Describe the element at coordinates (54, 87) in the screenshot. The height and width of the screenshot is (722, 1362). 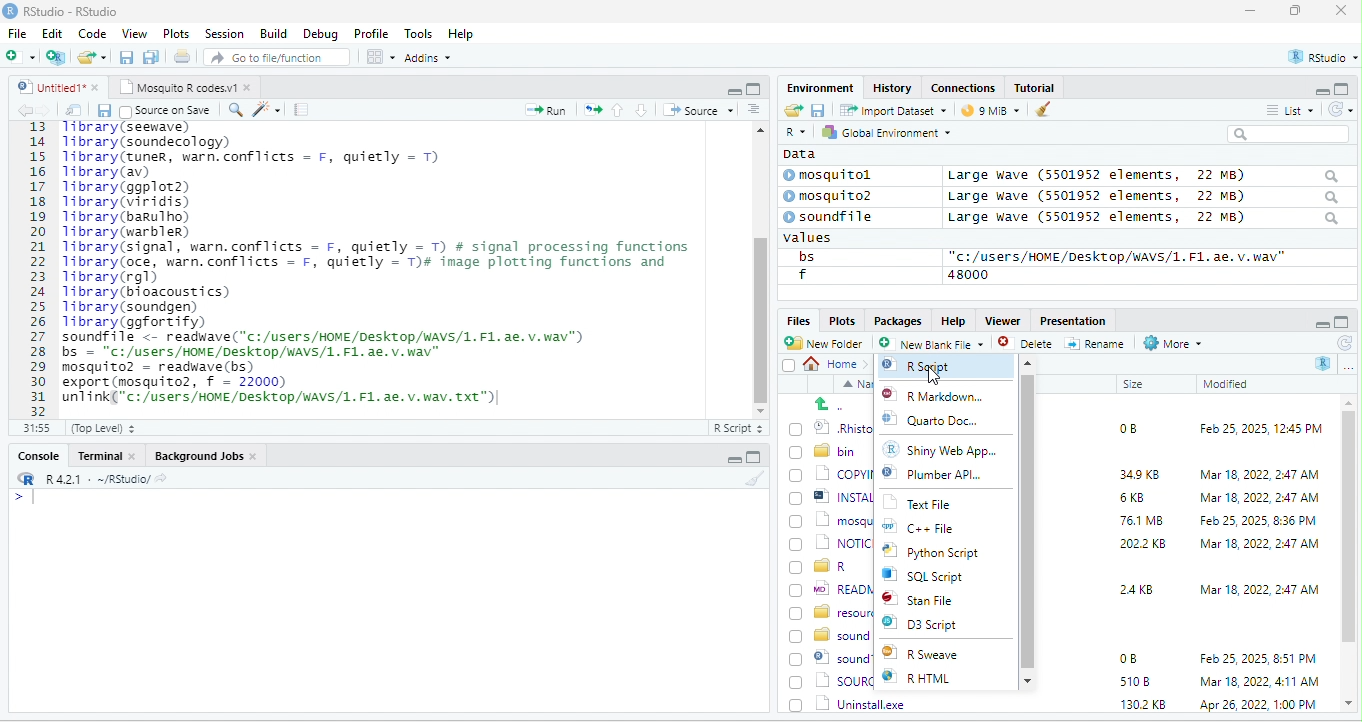
I see `© Untitied1* »` at that location.